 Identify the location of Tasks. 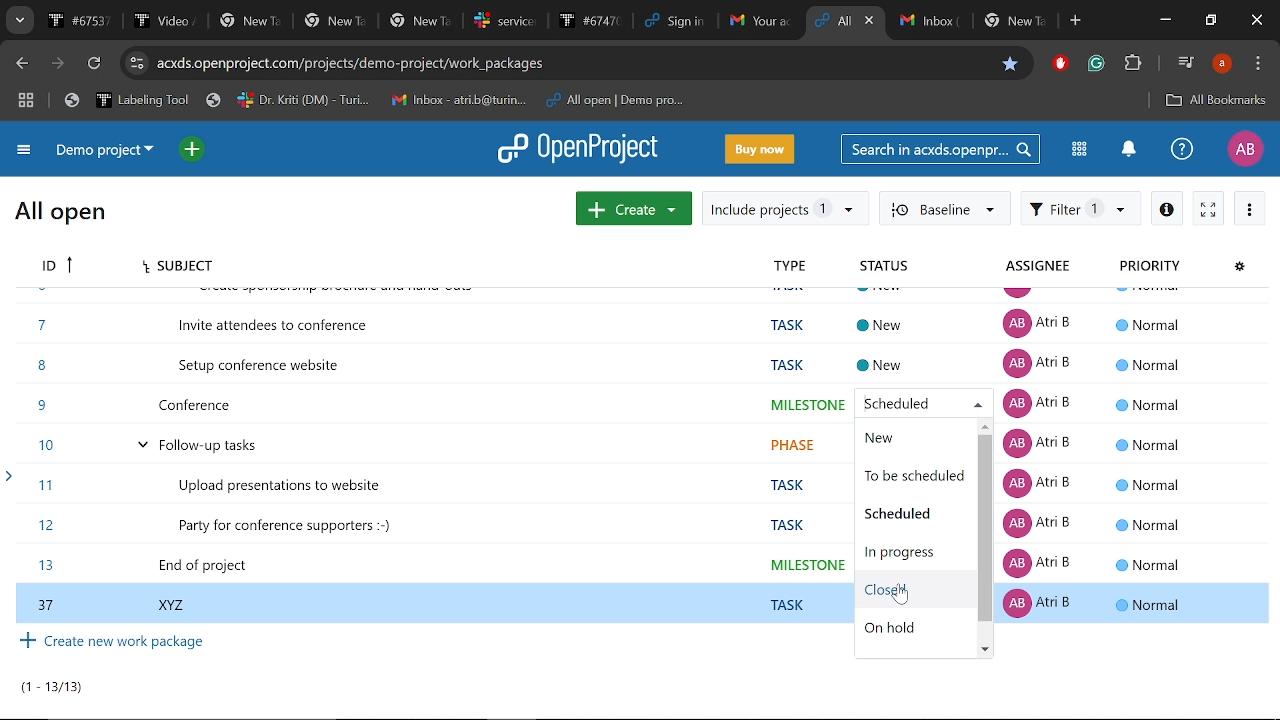
(430, 453).